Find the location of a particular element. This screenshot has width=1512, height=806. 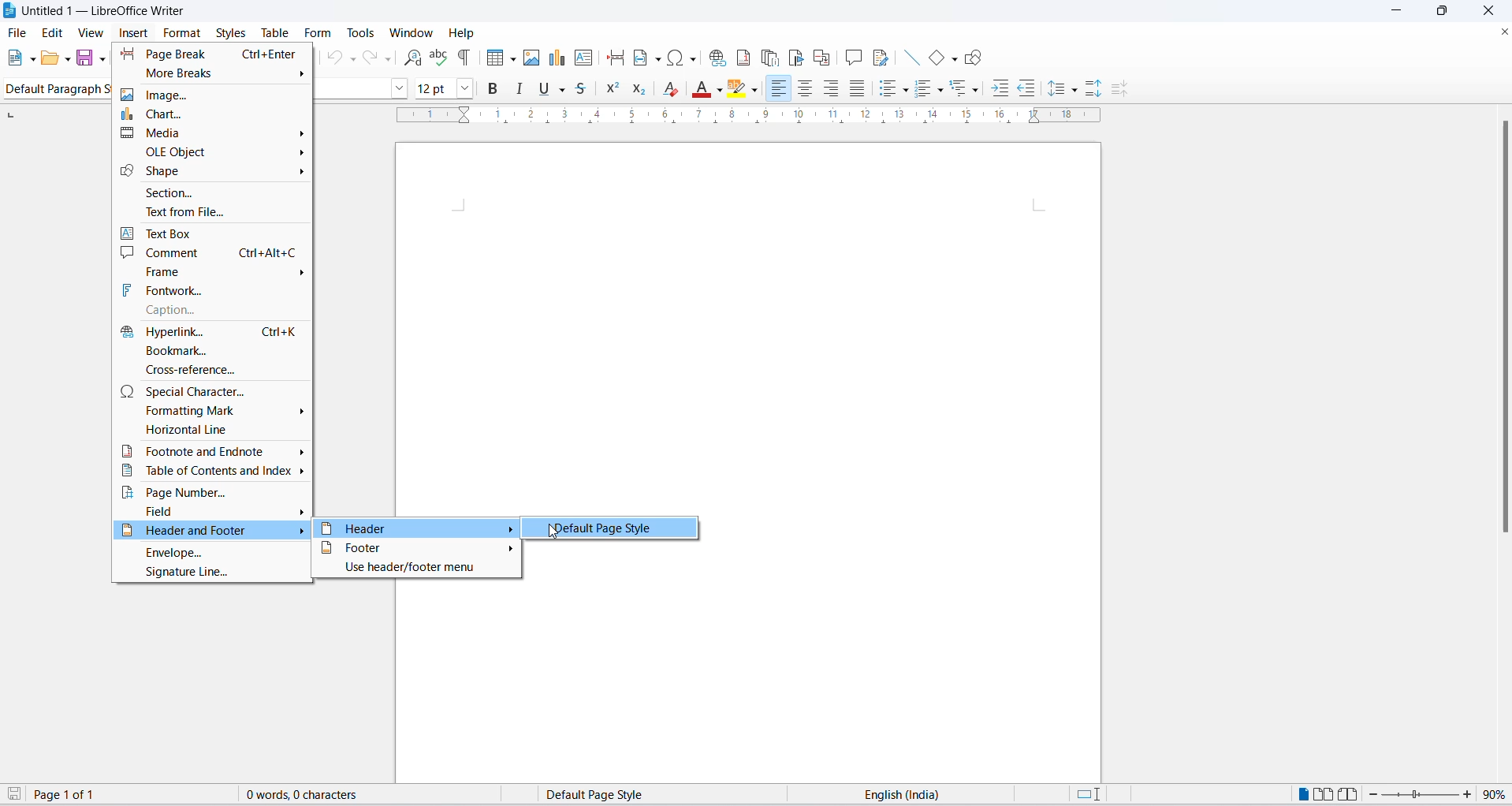

font color is located at coordinates (699, 91).